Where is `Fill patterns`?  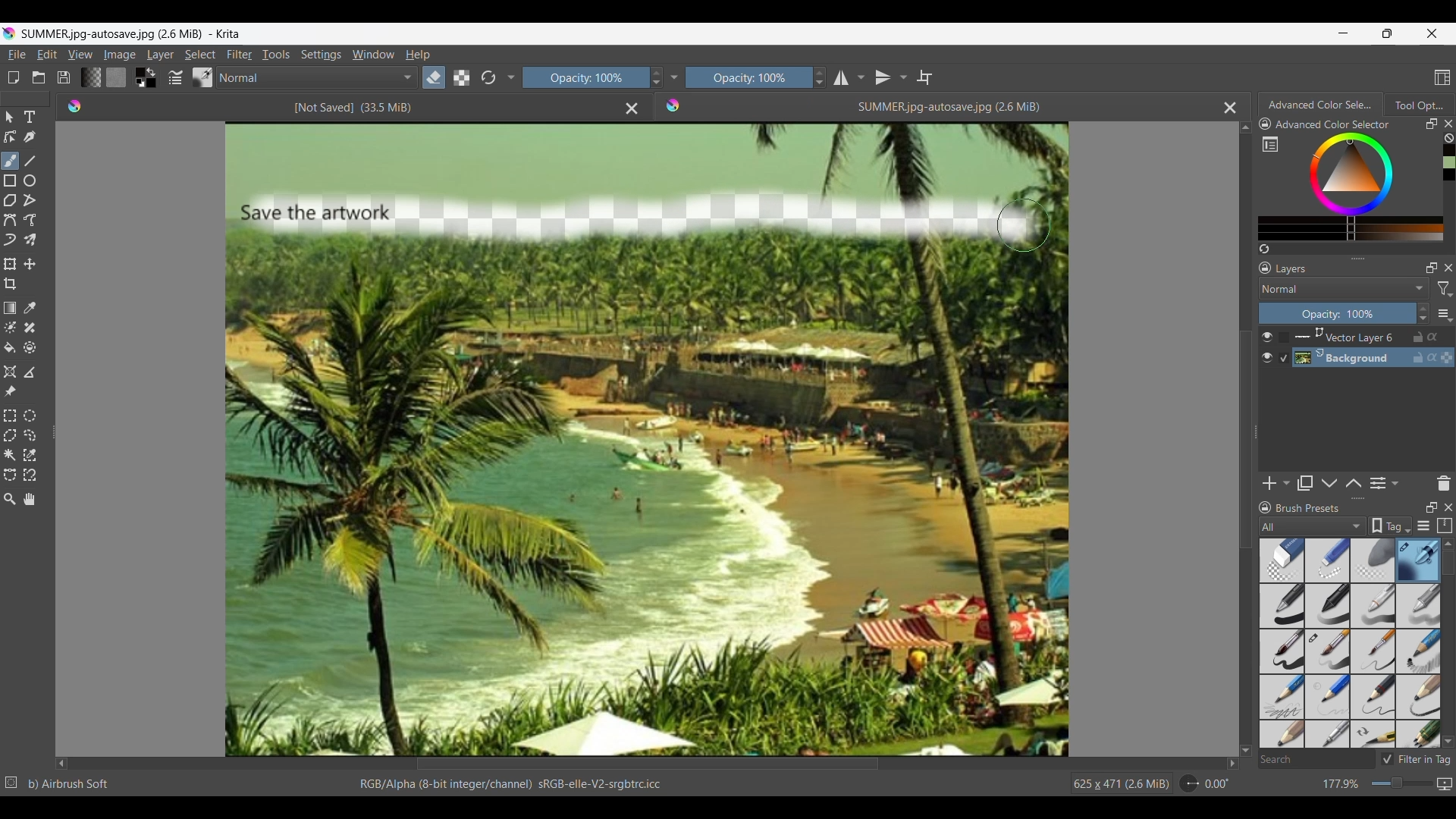
Fill patterns is located at coordinates (116, 77).